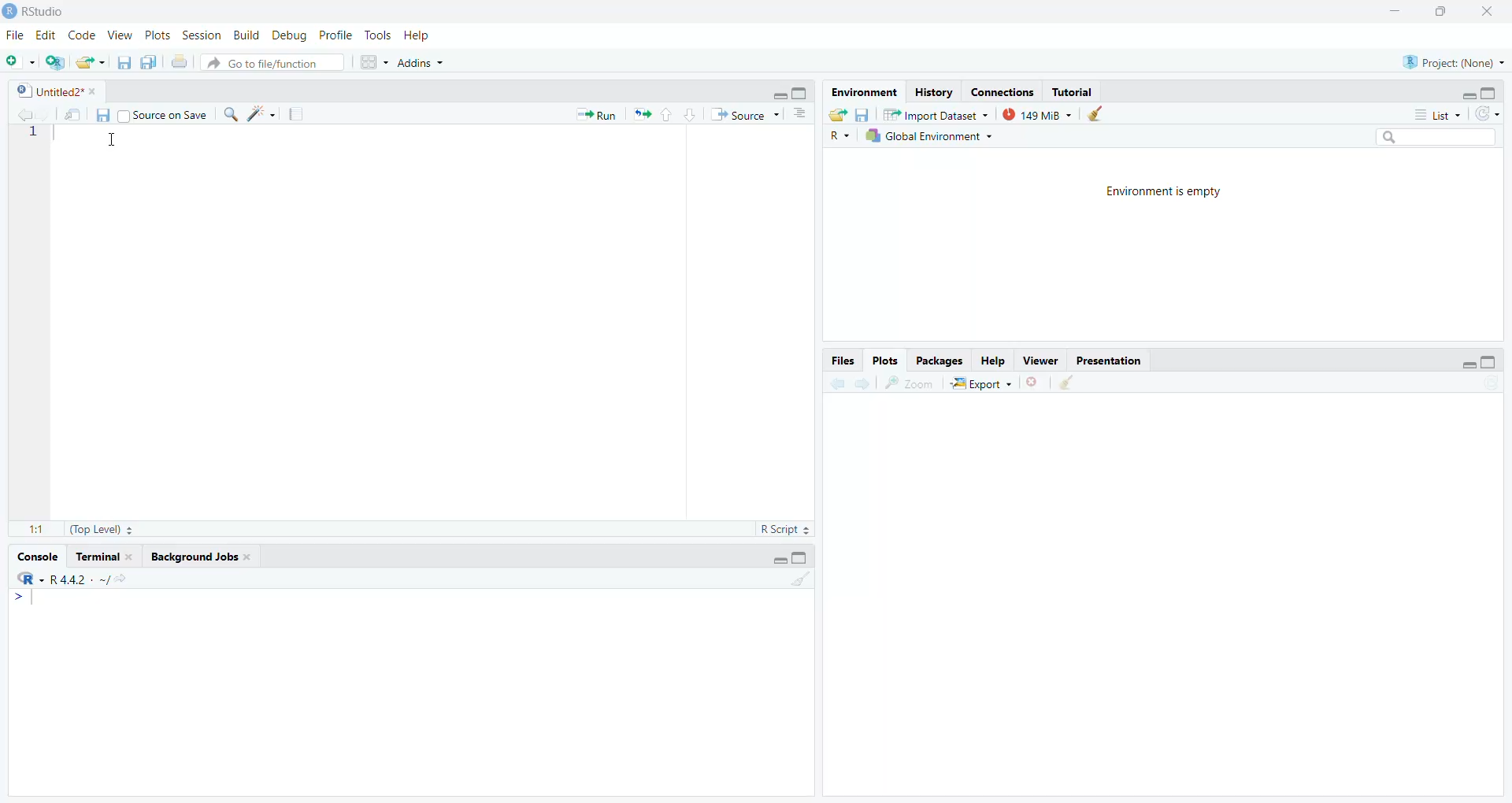  What do you see at coordinates (745, 114) in the screenshot?
I see `Source the contents of the active document` at bounding box center [745, 114].